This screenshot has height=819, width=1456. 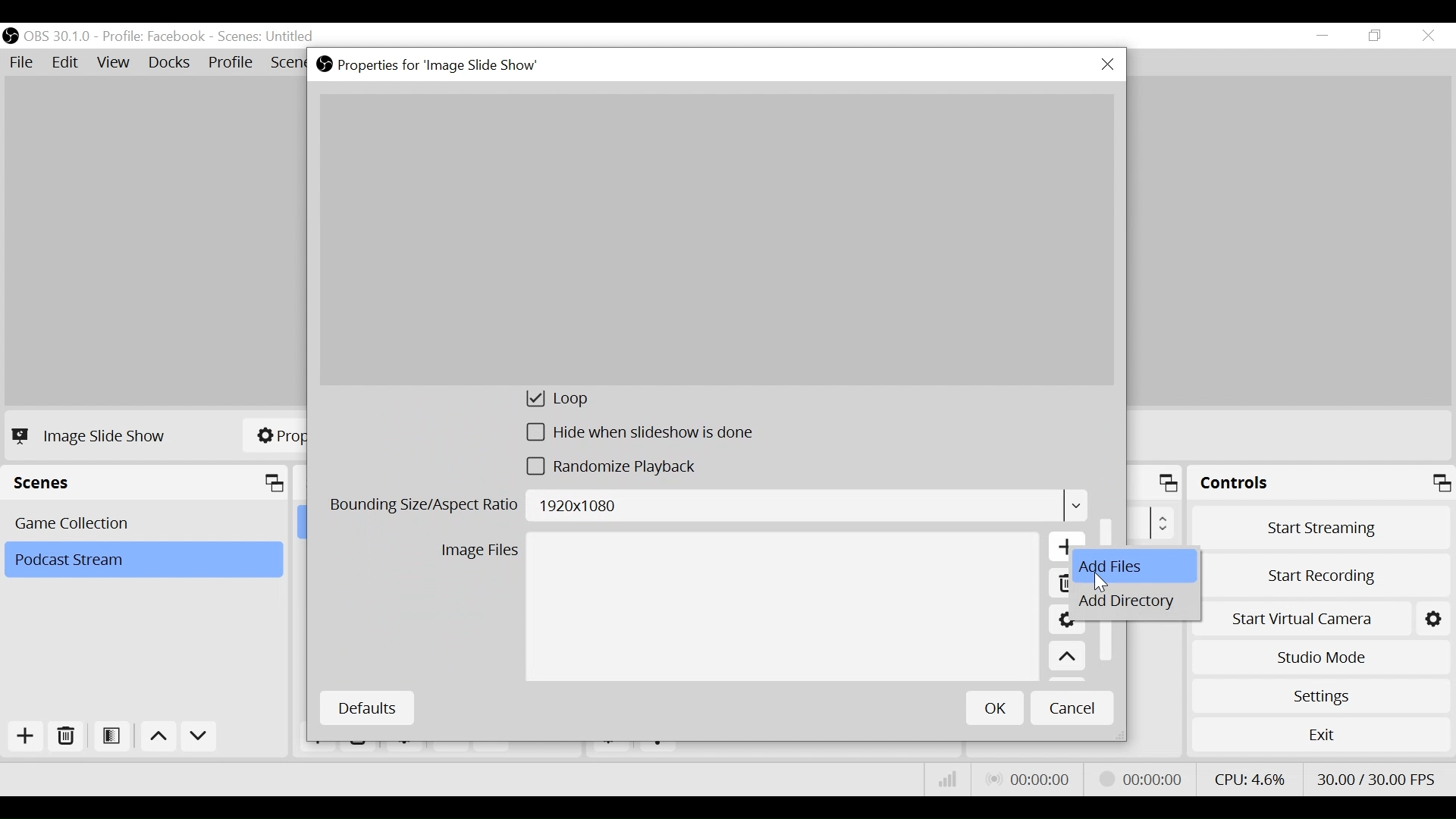 What do you see at coordinates (171, 64) in the screenshot?
I see `Docks` at bounding box center [171, 64].